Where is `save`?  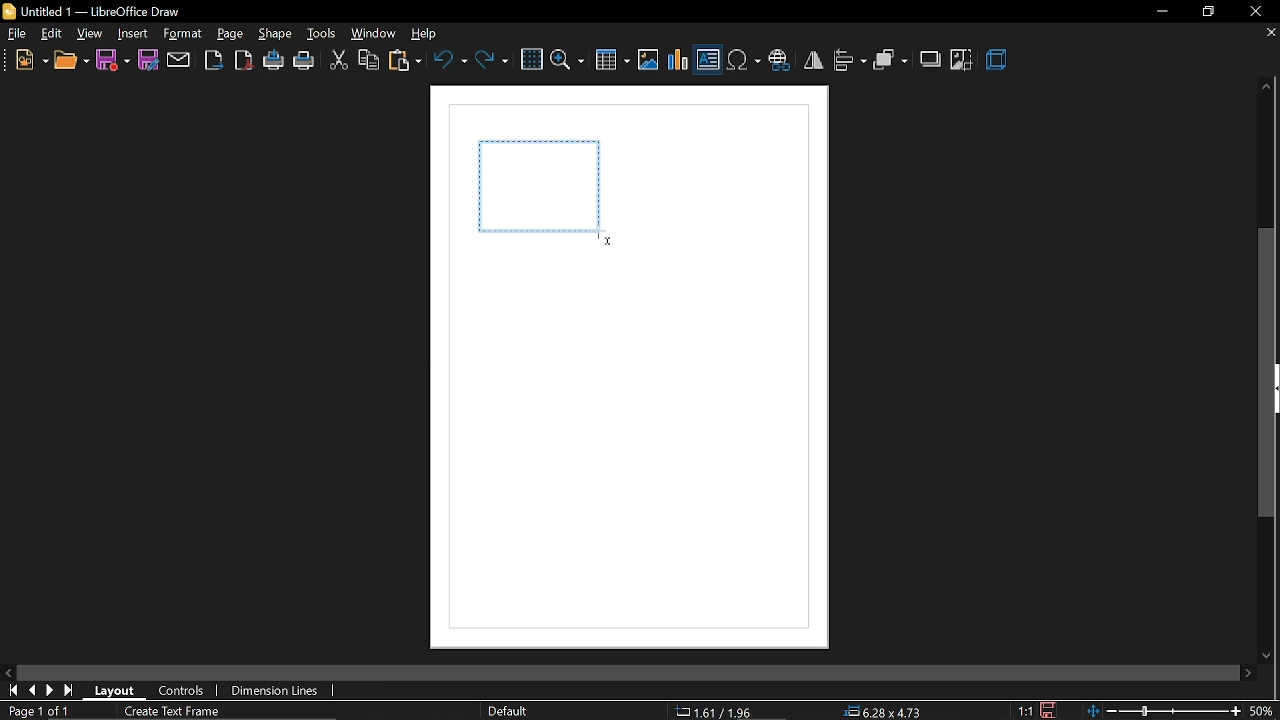 save is located at coordinates (1046, 709).